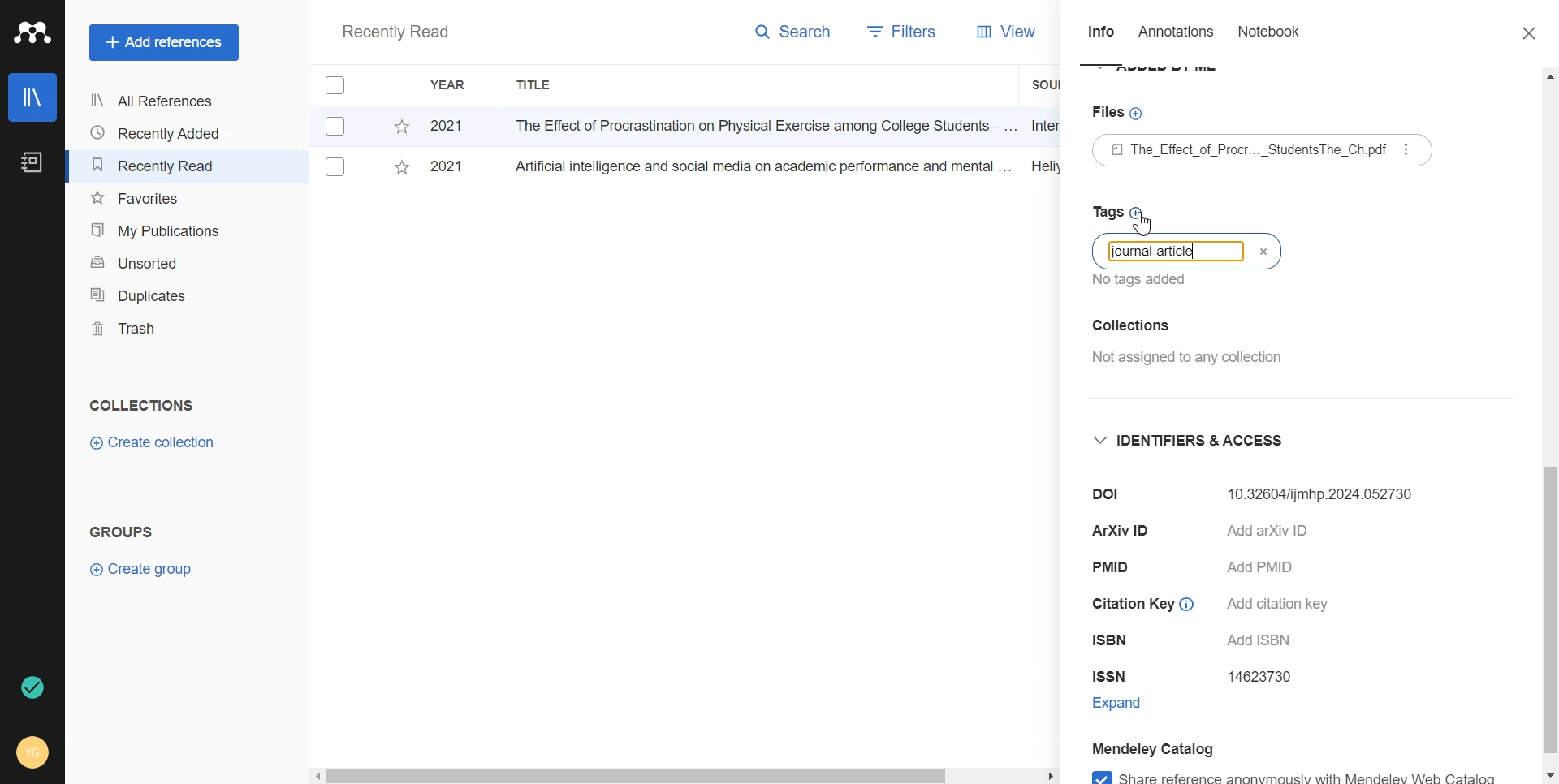 The width and height of the screenshot is (1559, 784). What do you see at coordinates (1221, 535) in the screenshot?
I see `ArXiv ID Add arXiv ID` at bounding box center [1221, 535].